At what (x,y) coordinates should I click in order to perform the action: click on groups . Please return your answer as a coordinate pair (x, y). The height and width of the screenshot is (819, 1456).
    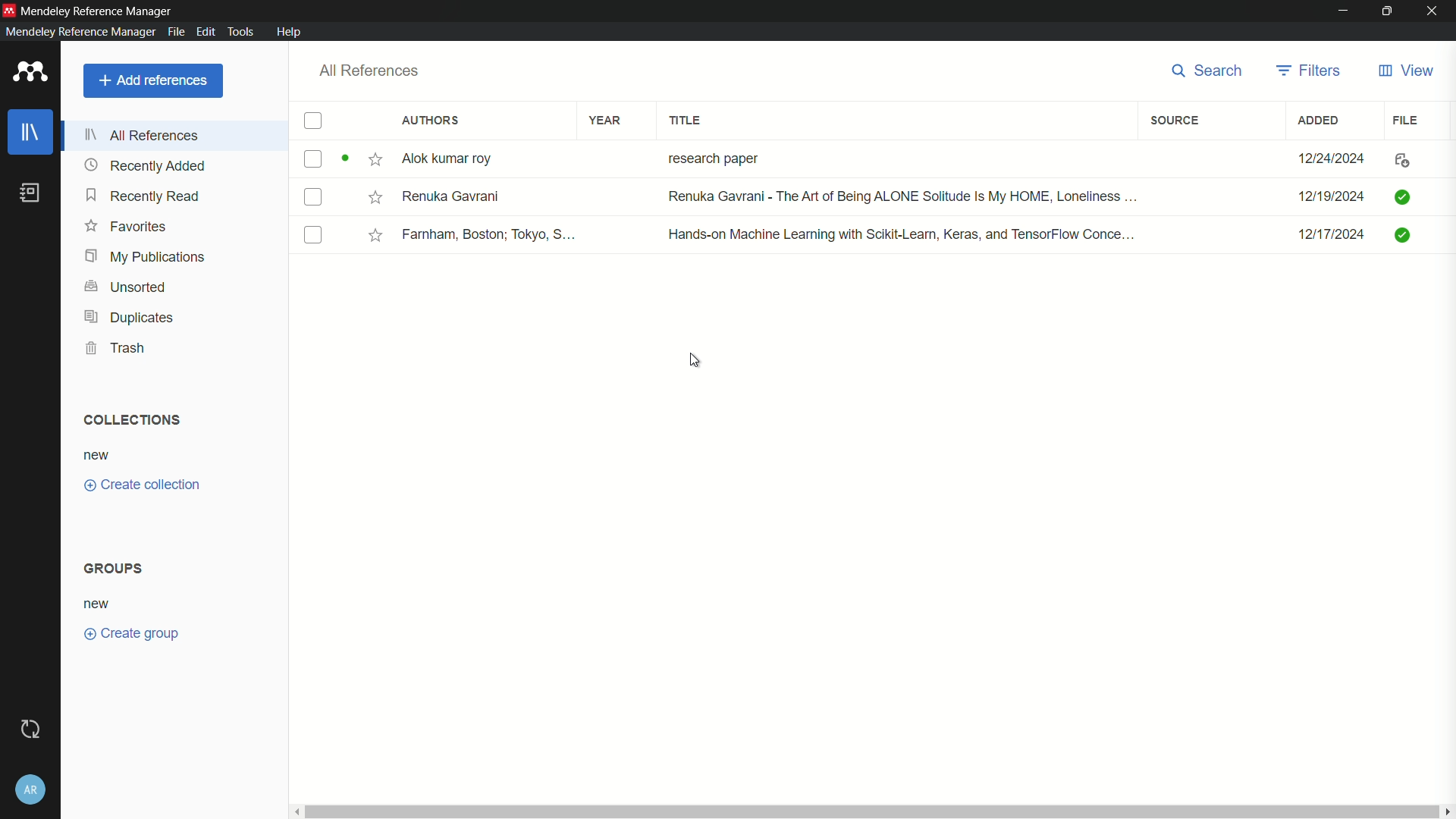
    Looking at the image, I should click on (122, 566).